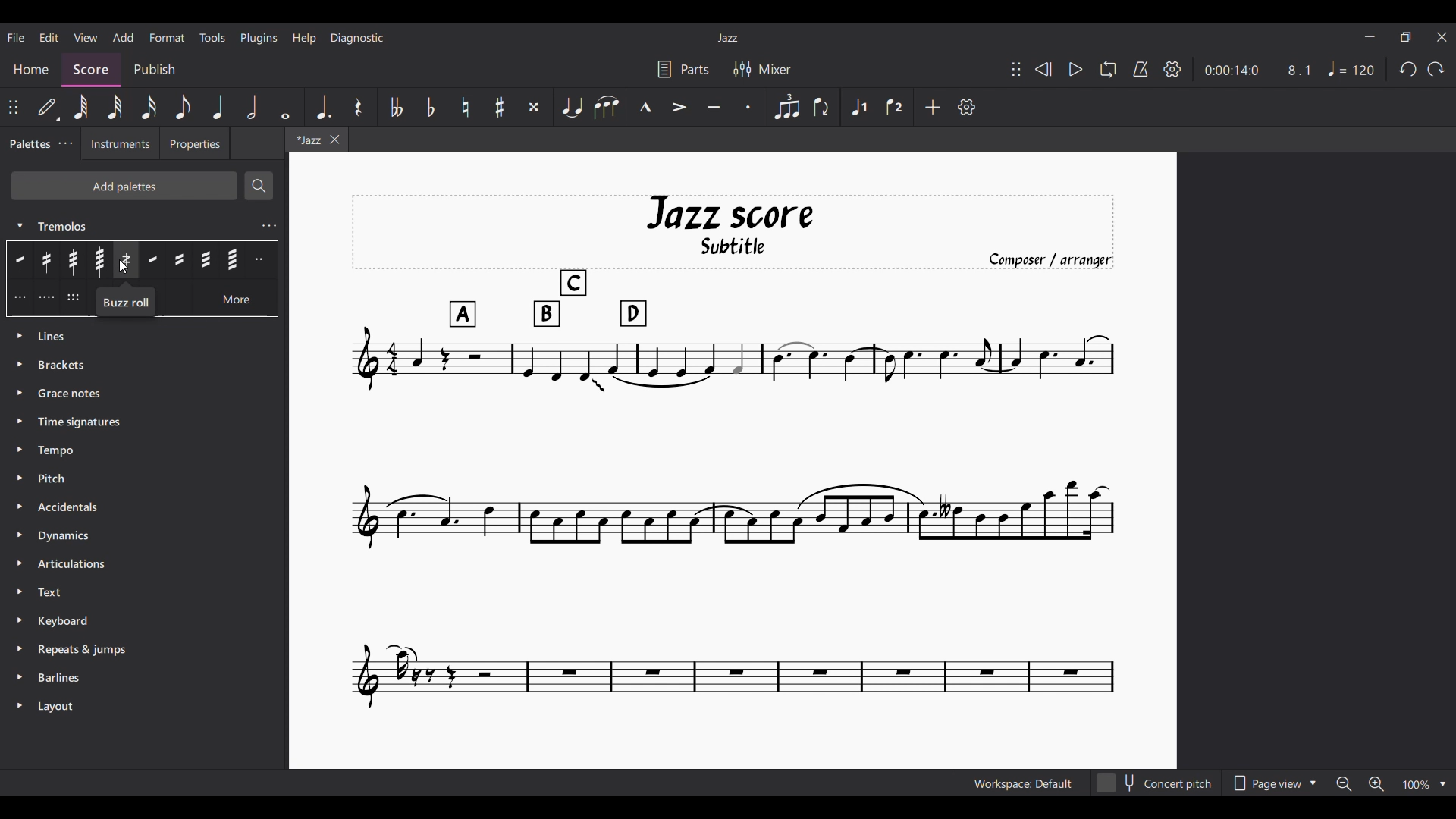 This screenshot has width=1456, height=819. Describe the element at coordinates (1141, 69) in the screenshot. I see `Metronome` at that location.